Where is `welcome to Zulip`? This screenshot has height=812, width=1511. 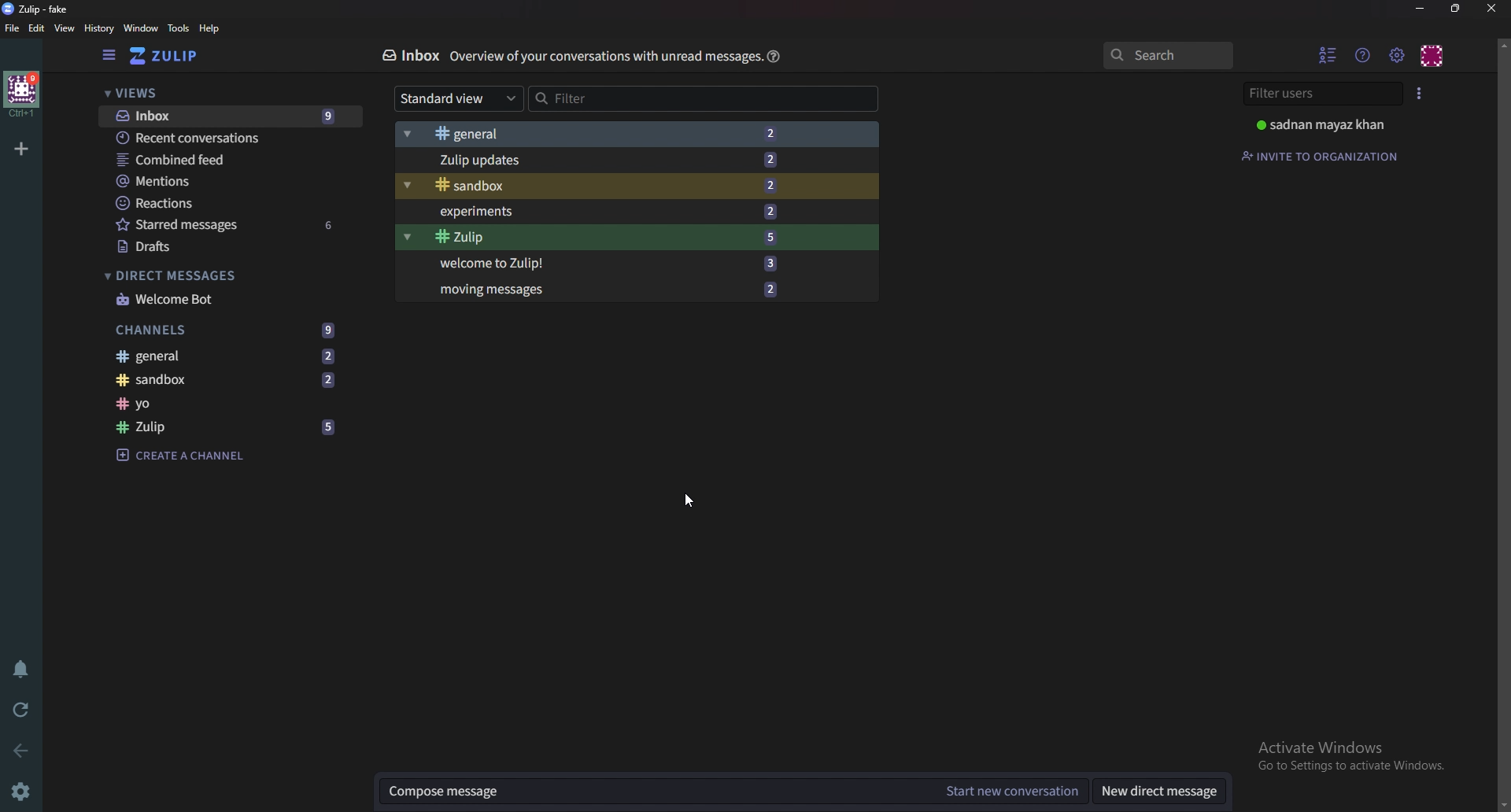
welcome to Zulip is located at coordinates (623, 262).